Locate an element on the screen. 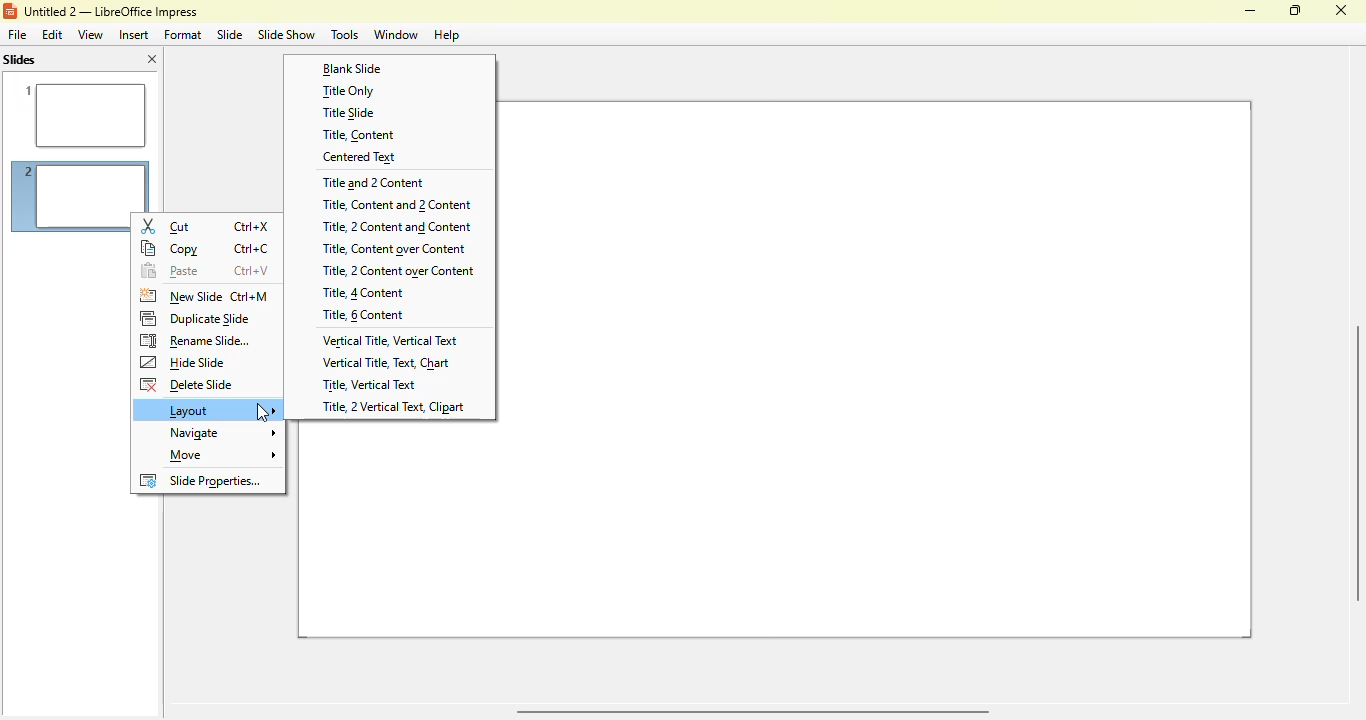 The height and width of the screenshot is (720, 1366). layout is located at coordinates (204, 410).